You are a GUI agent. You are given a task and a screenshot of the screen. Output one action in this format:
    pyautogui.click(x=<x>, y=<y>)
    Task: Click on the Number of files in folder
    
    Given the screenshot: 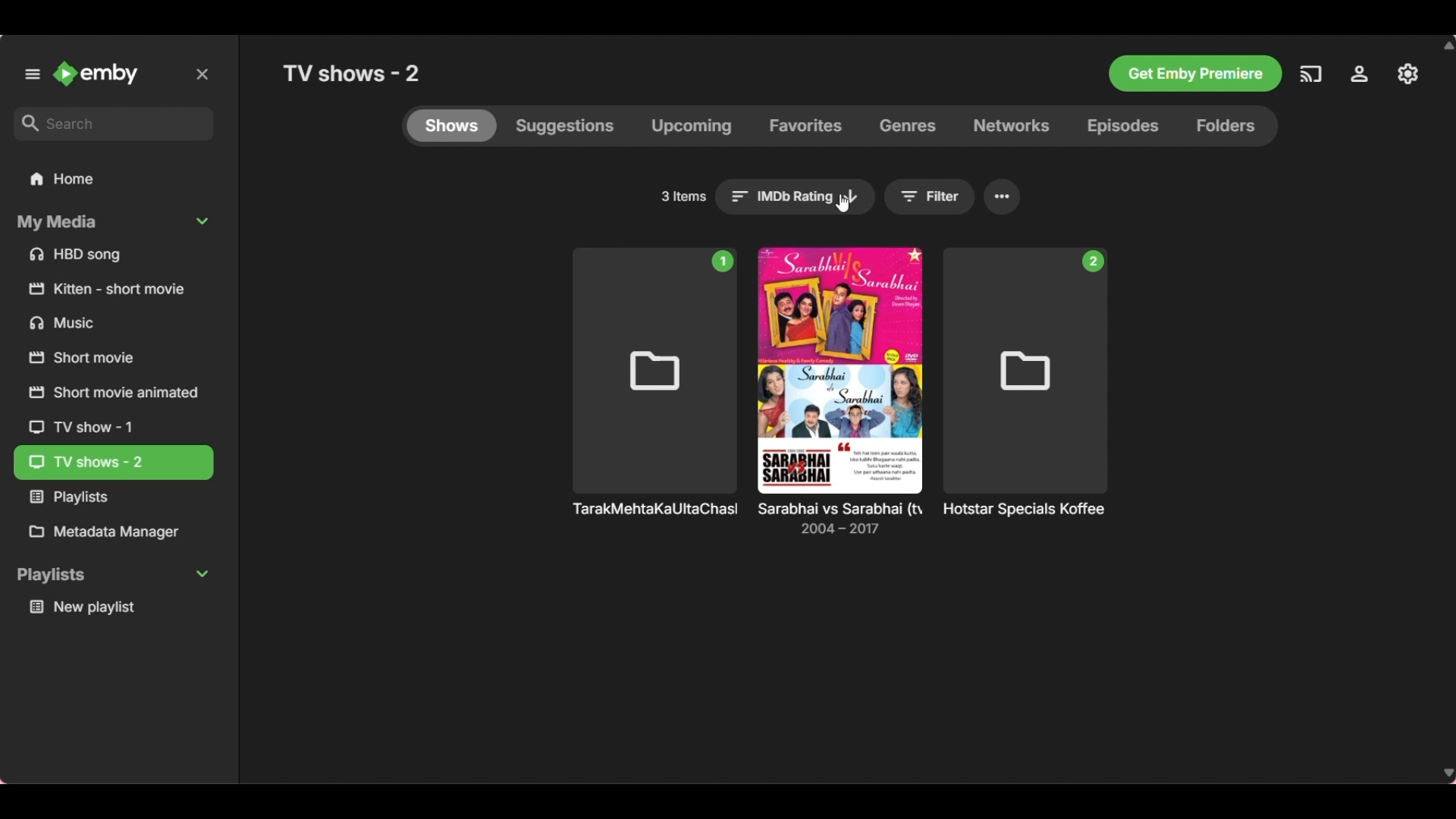 What is the action you would take?
    pyautogui.click(x=723, y=261)
    